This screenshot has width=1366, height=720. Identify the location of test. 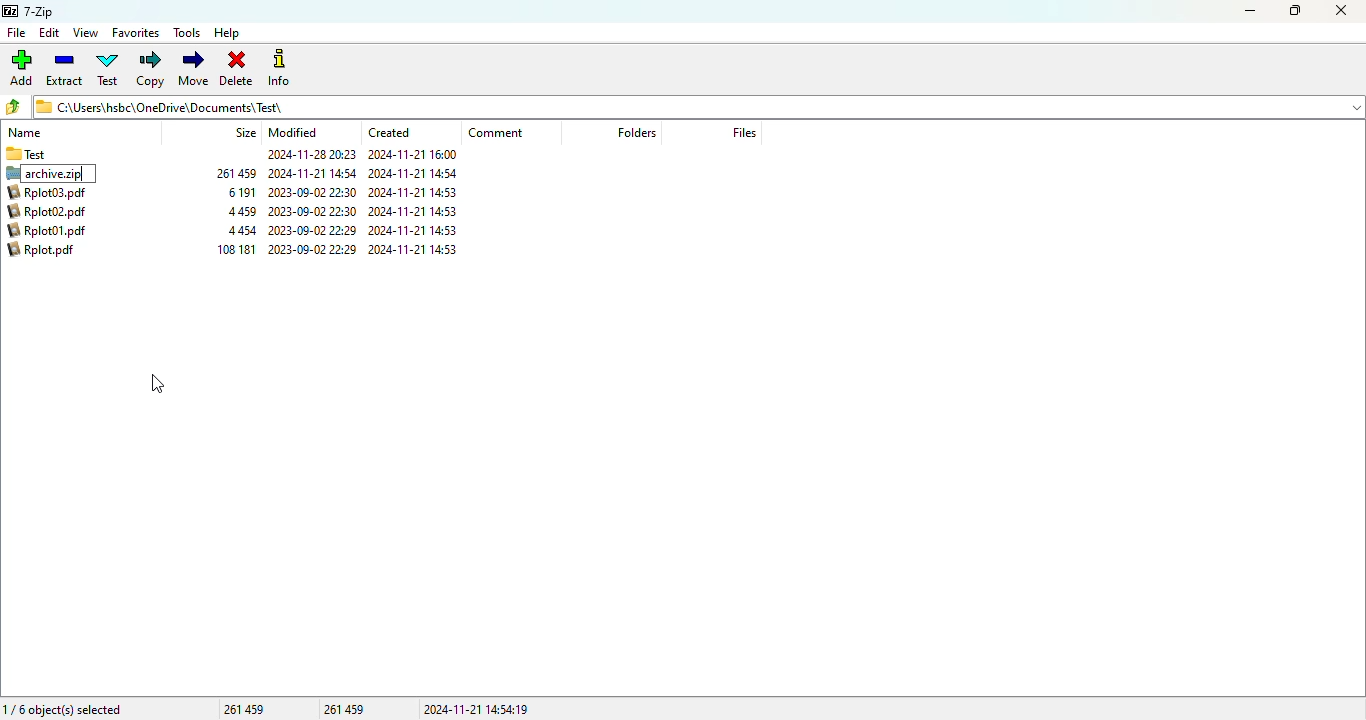
(108, 69).